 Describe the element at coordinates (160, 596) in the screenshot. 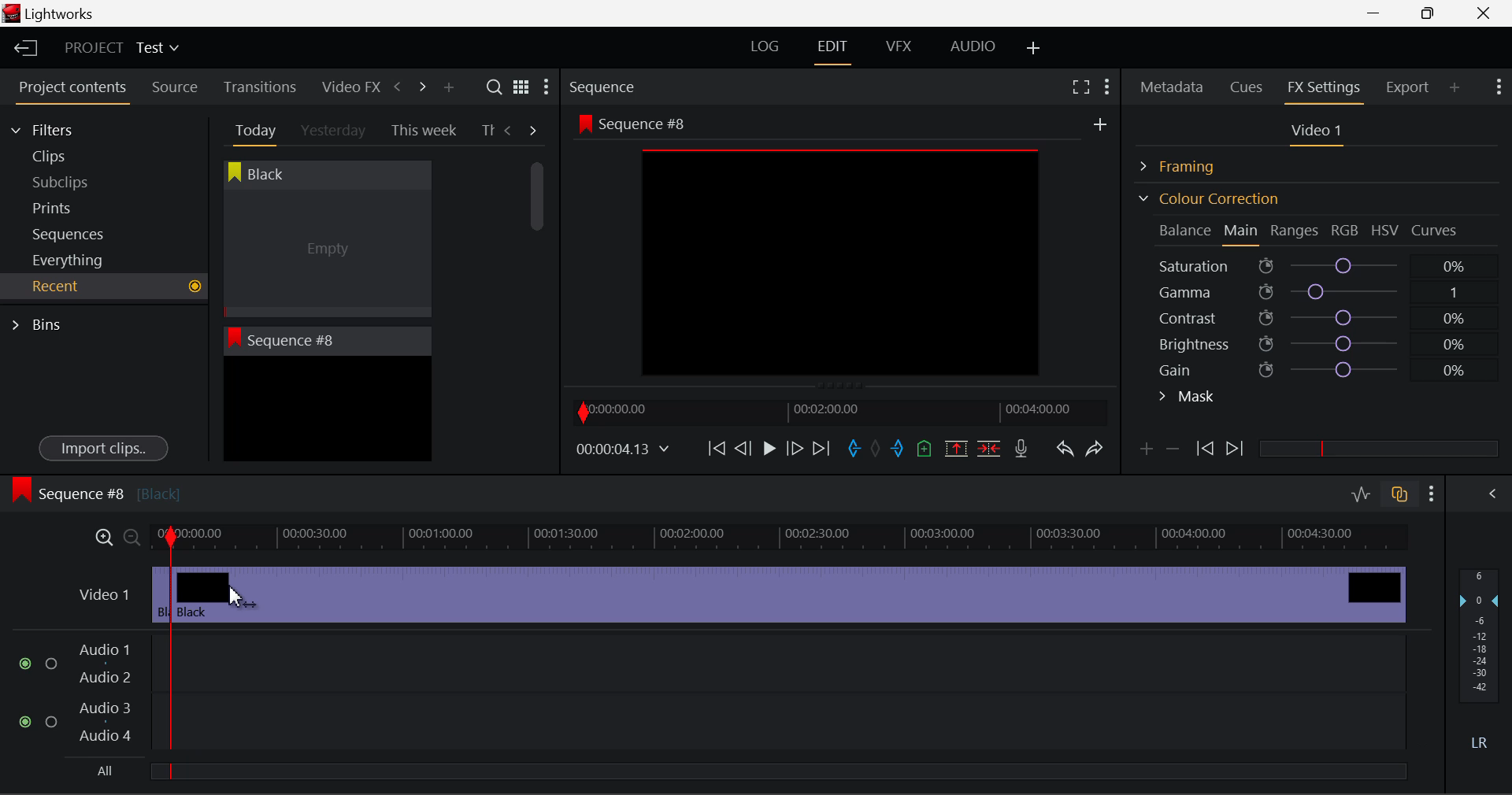

I see `Clip 1 Segment` at that location.